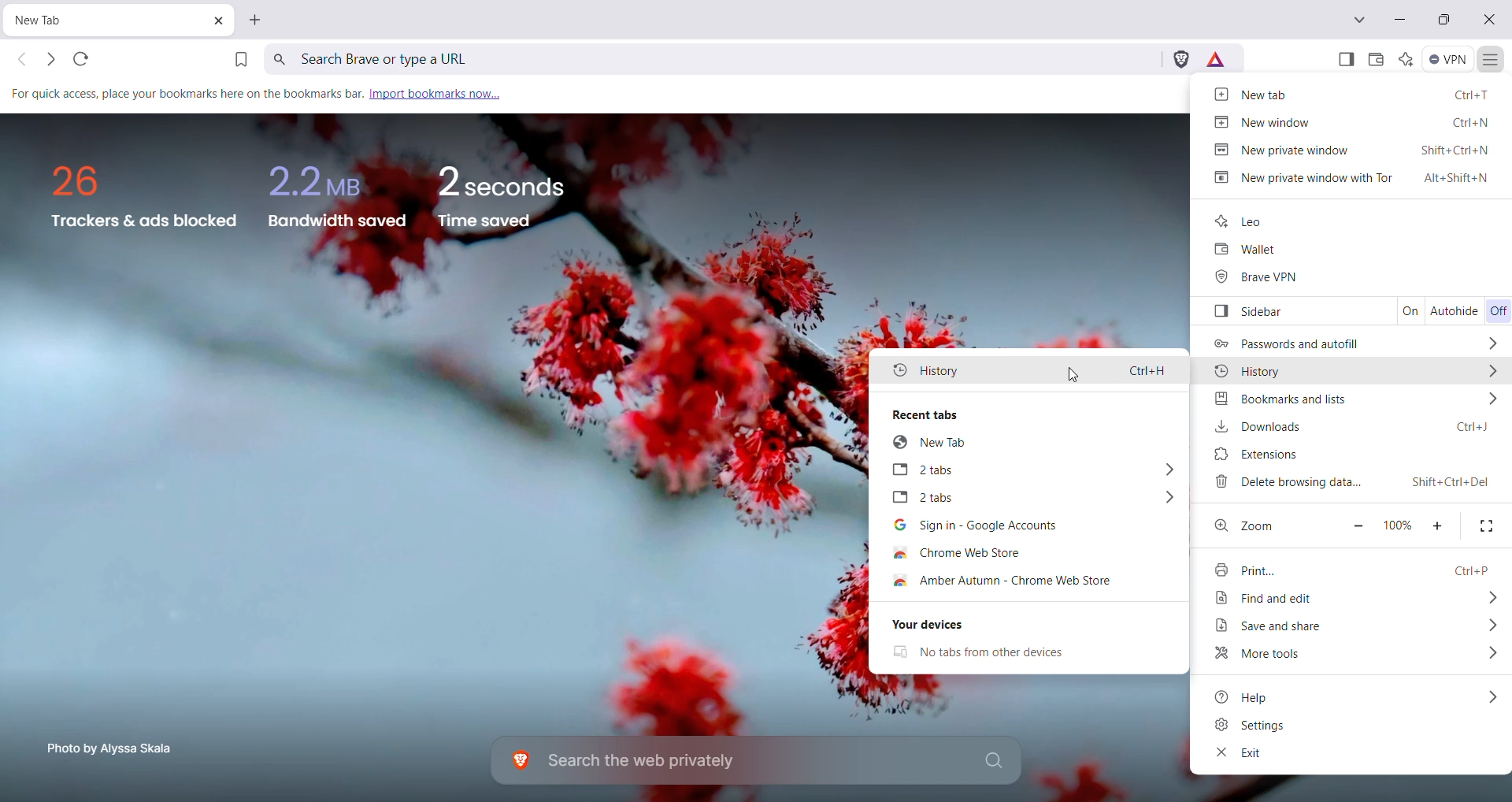  Describe the element at coordinates (1353, 150) in the screenshot. I see `New private window` at that location.